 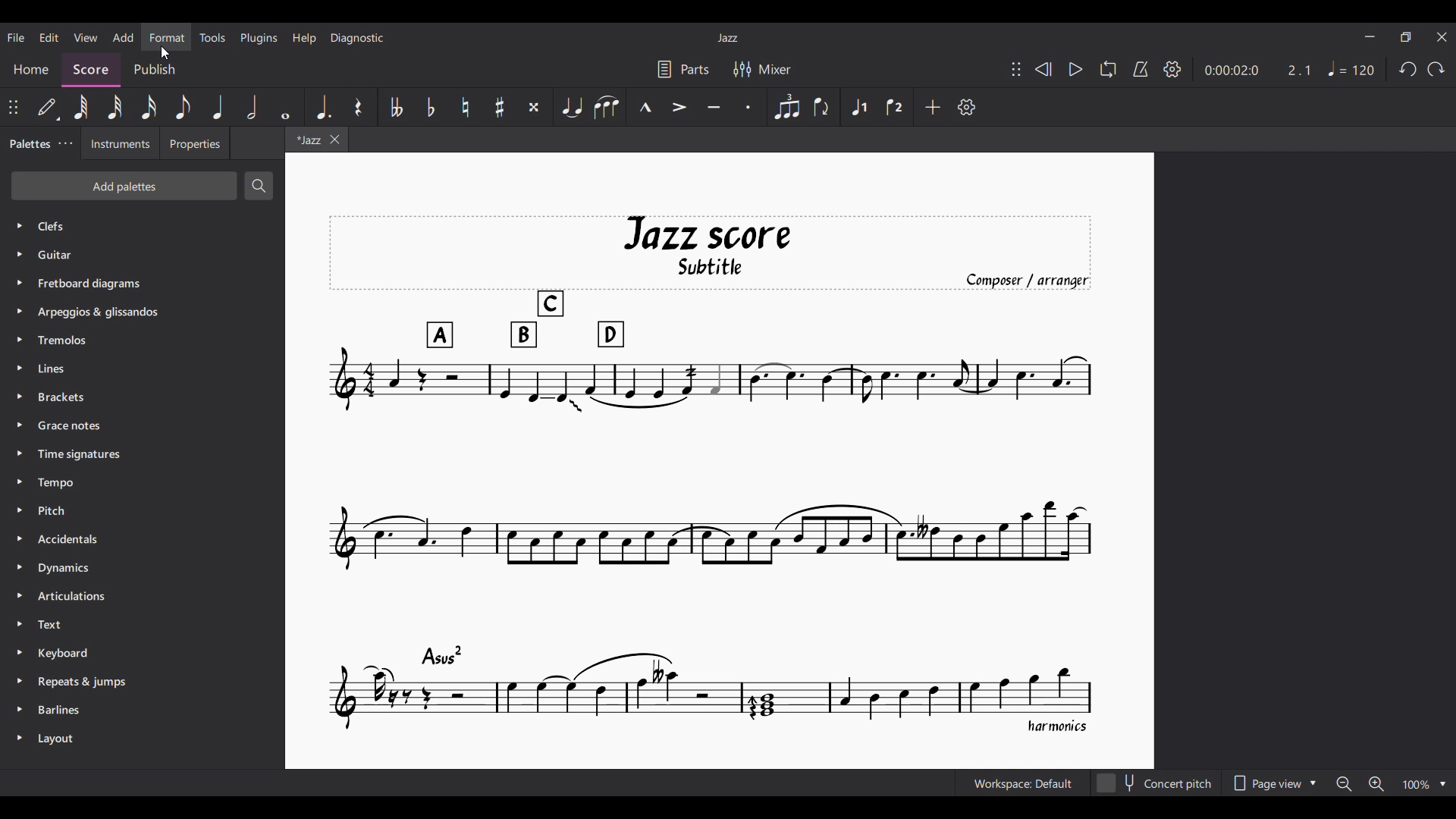 What do you see at coordinates (60, 397) in the screenshot?
I see `Brackets` at bounding box center [60, 397].